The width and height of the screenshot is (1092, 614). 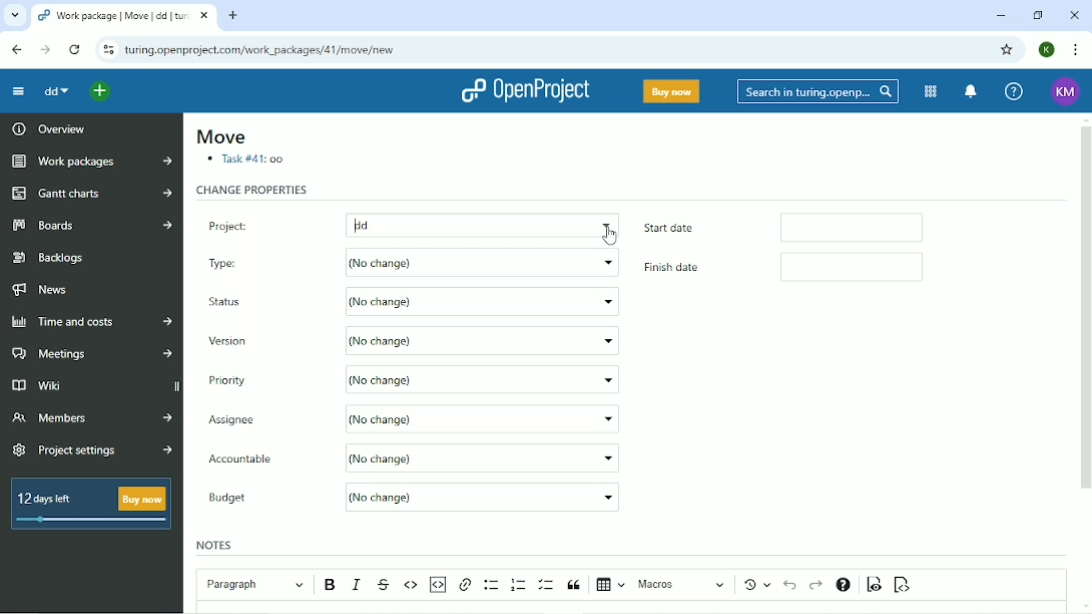 I want to click on New tab, so click(x=233, y=15).